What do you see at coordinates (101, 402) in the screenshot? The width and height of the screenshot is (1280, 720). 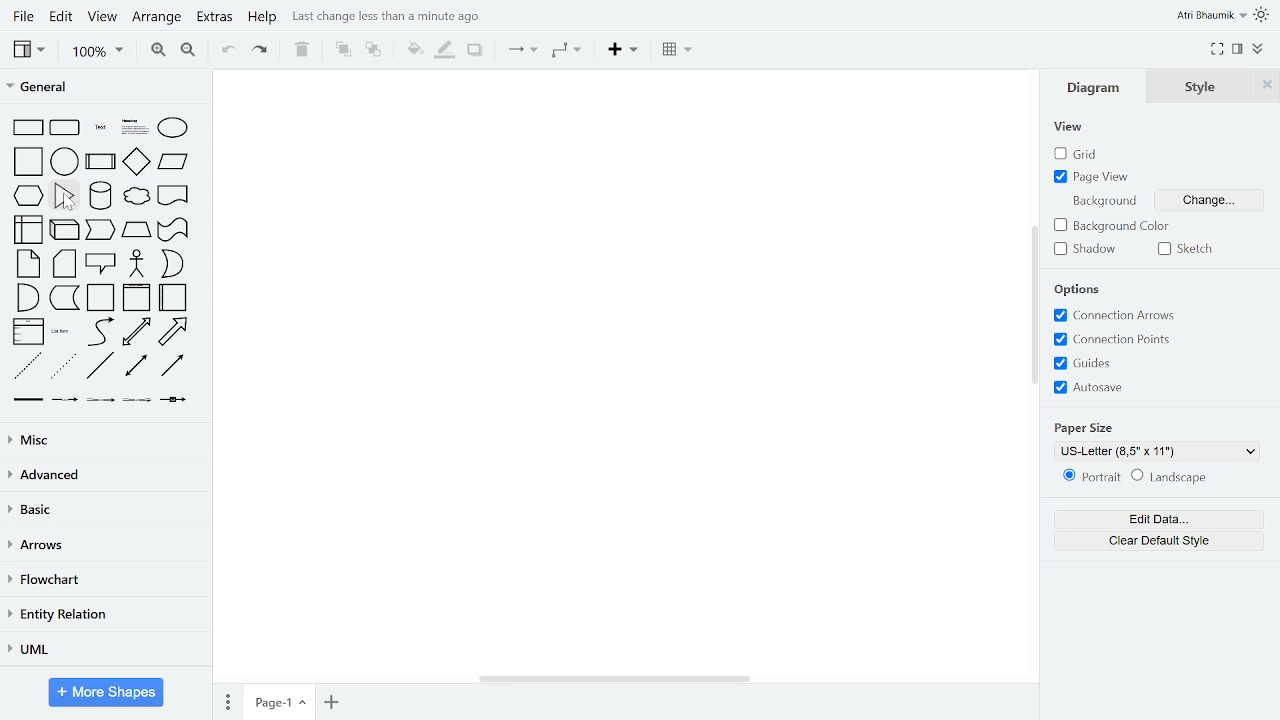 I see `connector with 2 label` at bounding box center [101, 402].